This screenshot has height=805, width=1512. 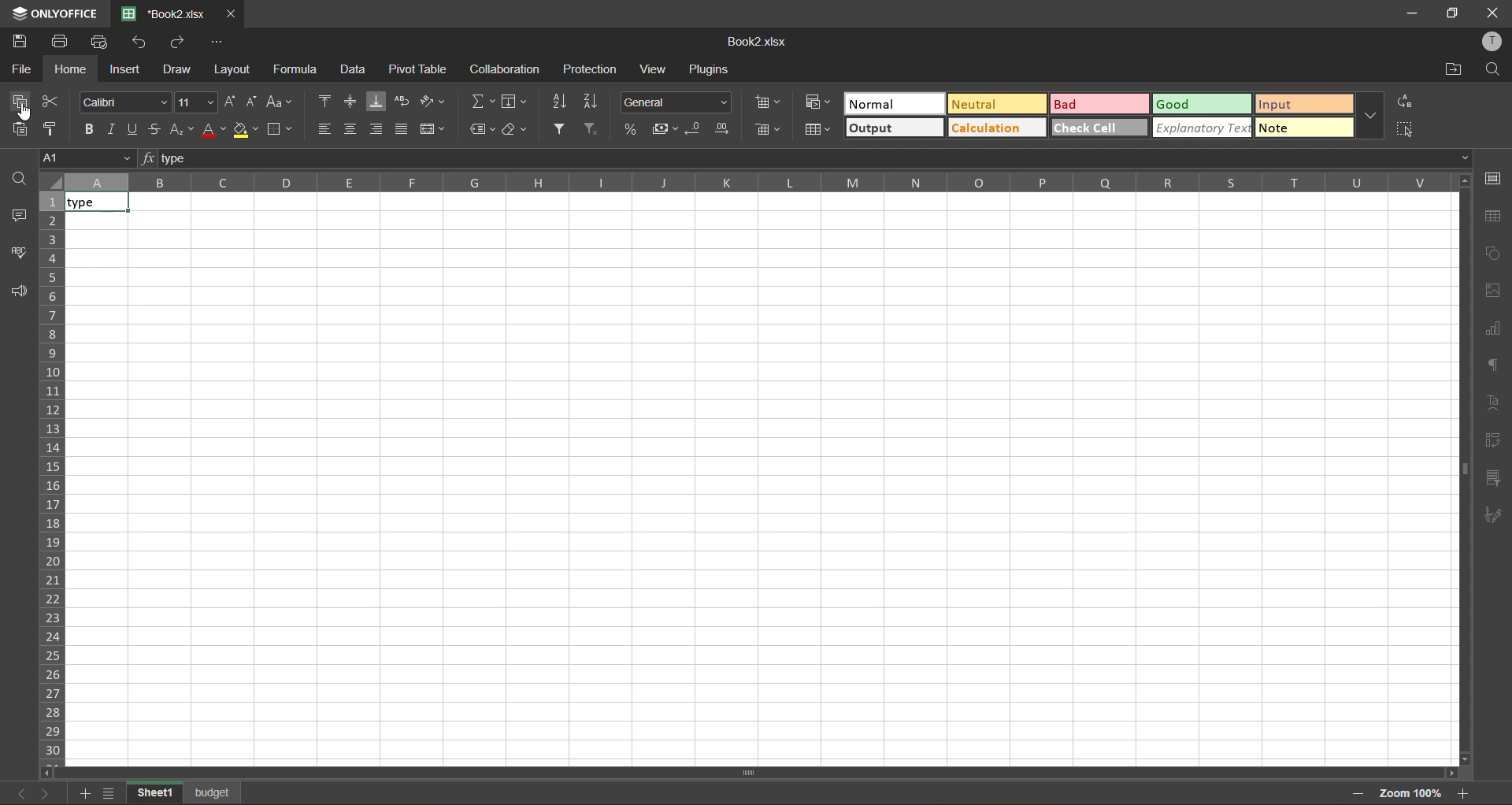 What do you see at coordinates (22, 793) in the screenshot?
I see `previous` at bounding box center [22, 793].